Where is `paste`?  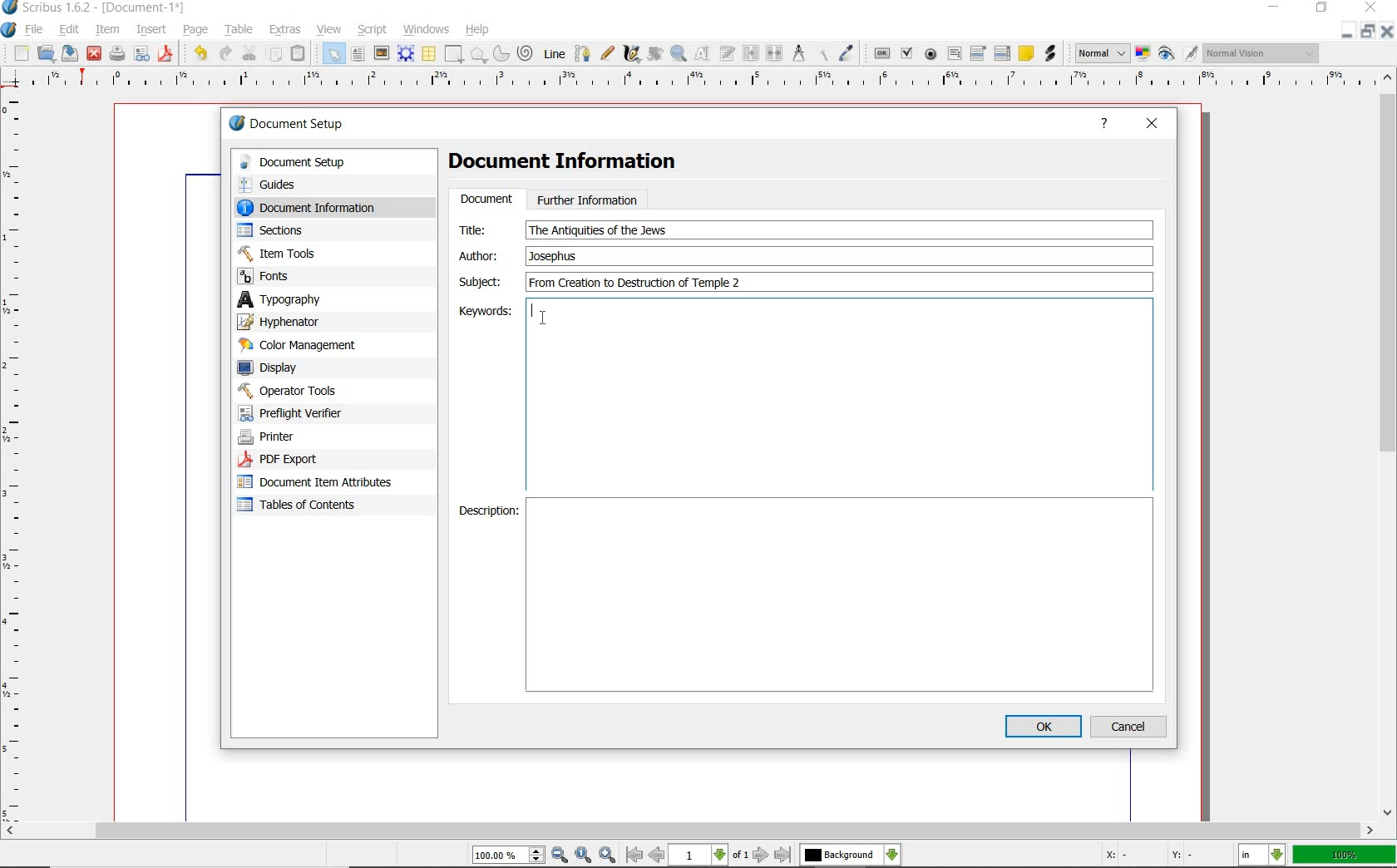
paste is located at coordinates (301, 52).